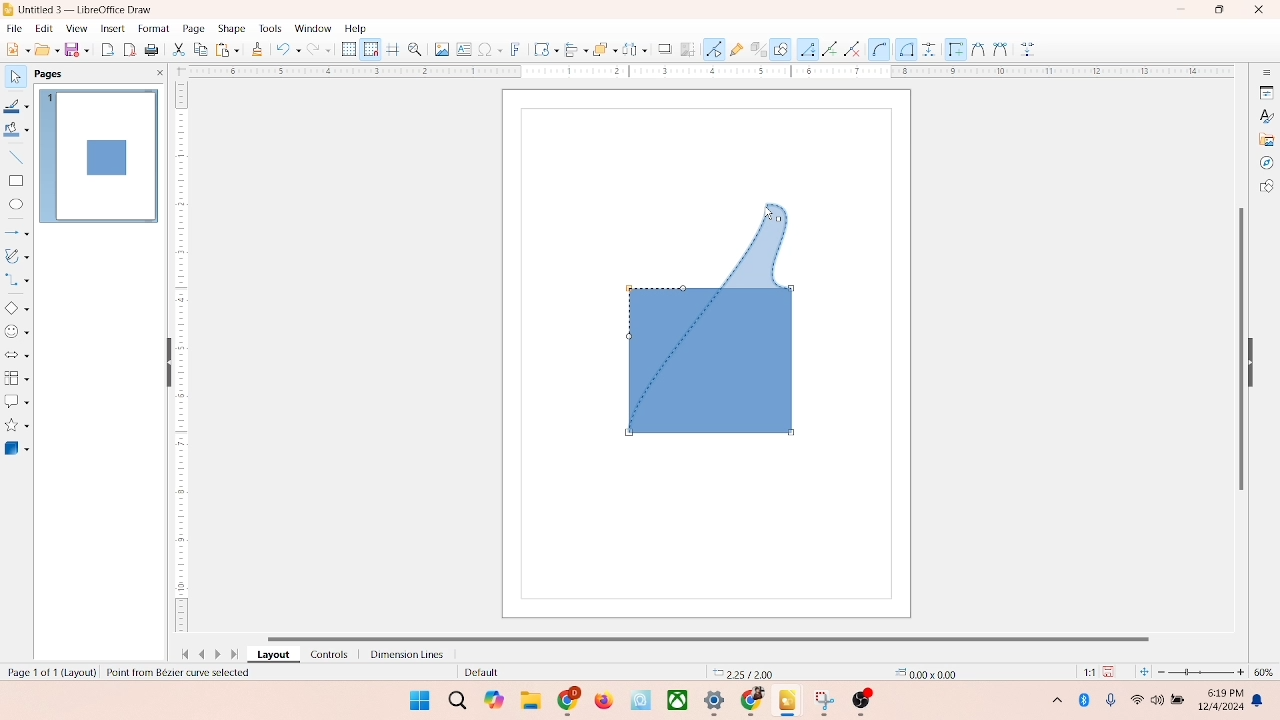 This screenshot has width=1280, height=720. What do you see at coordinates (807, 48) in the screenshot?
I see `Line tool` at bounding box center [807, 48].